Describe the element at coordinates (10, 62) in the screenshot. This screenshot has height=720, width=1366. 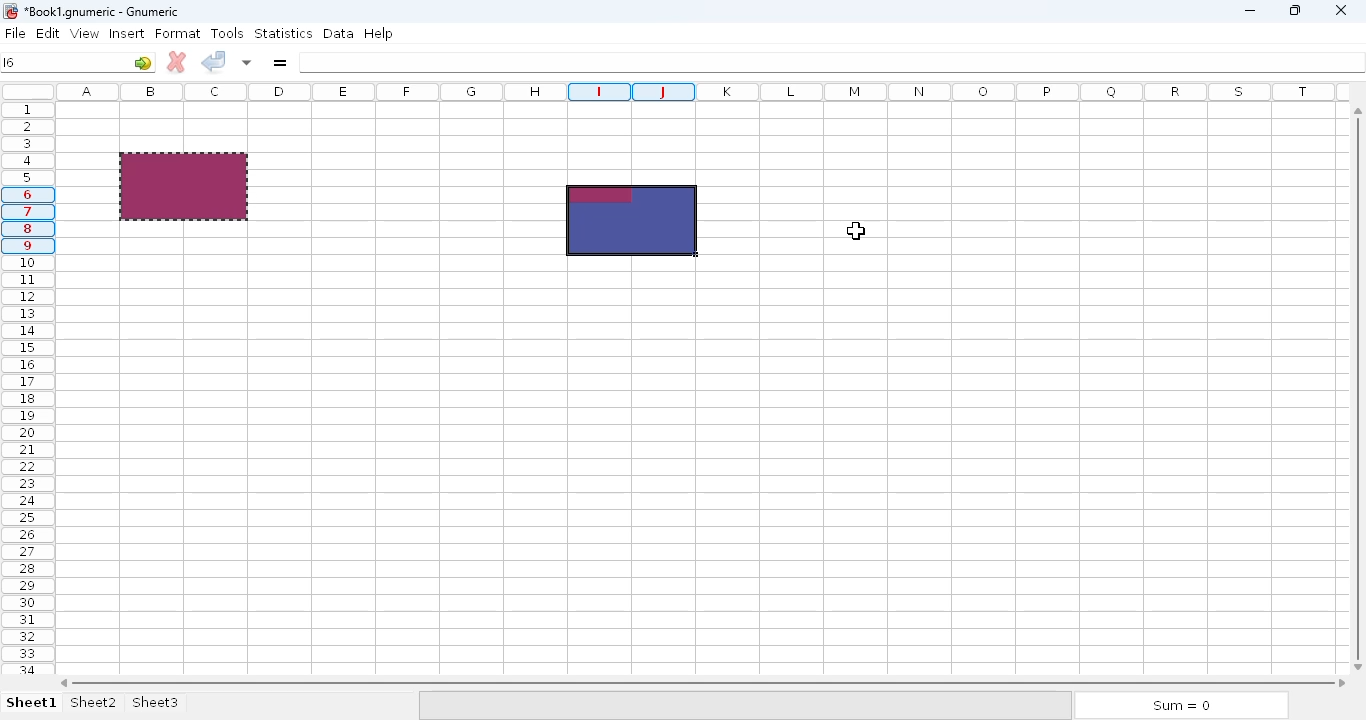
I see `I6` at that location.